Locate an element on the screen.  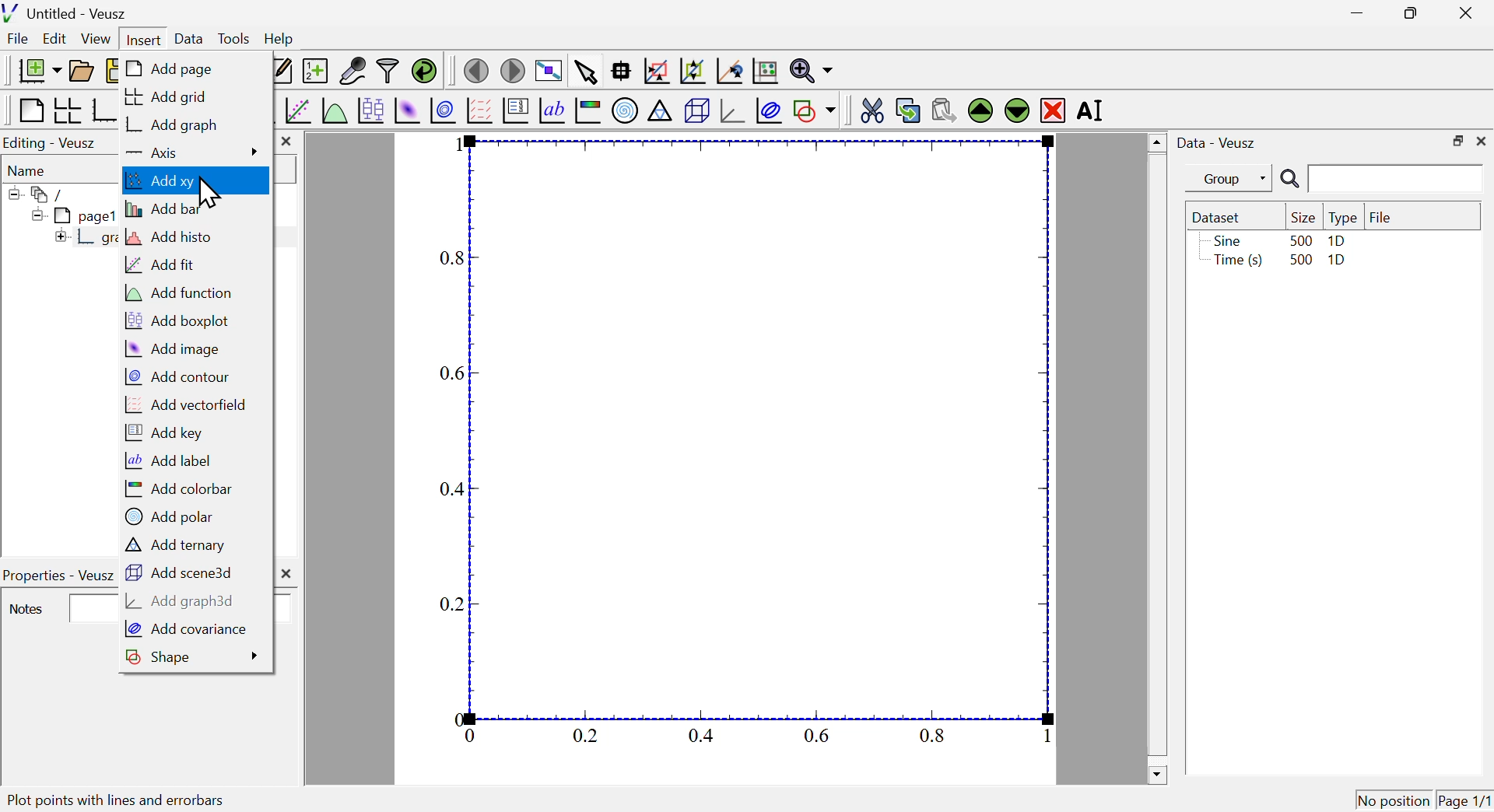
tools is located at coordinates (235, 37).